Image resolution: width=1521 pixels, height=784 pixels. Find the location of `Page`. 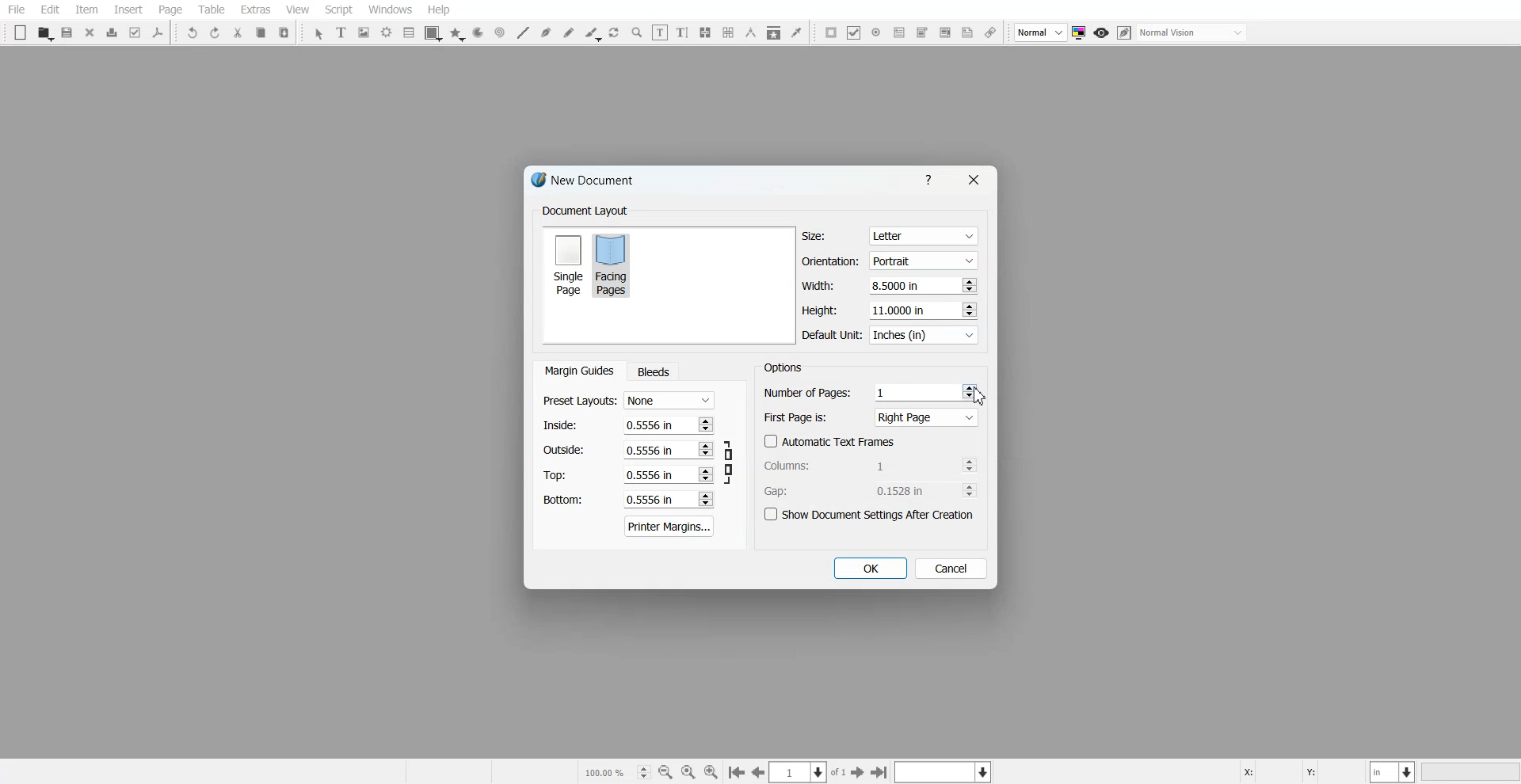

Page is located at coordinates (170, 10).